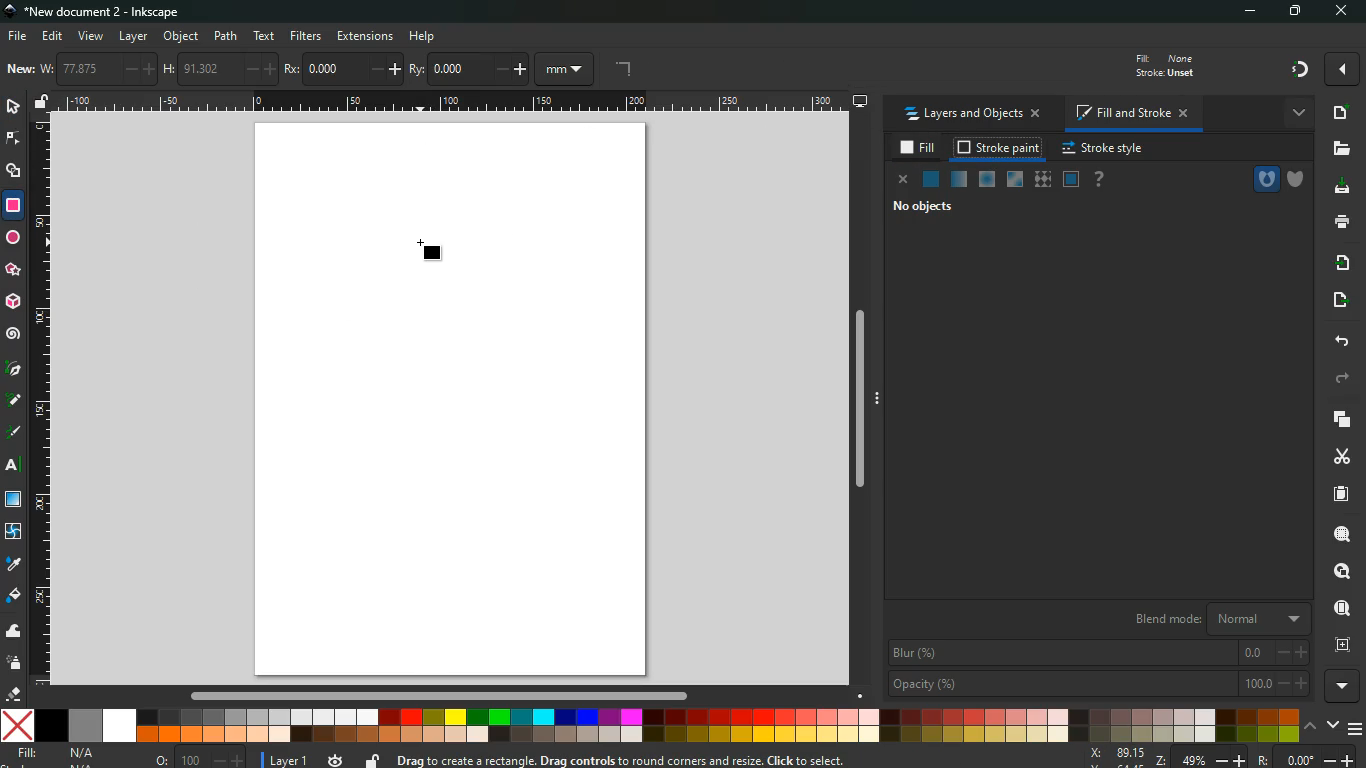  I want to click on drop, so click(13, 567).